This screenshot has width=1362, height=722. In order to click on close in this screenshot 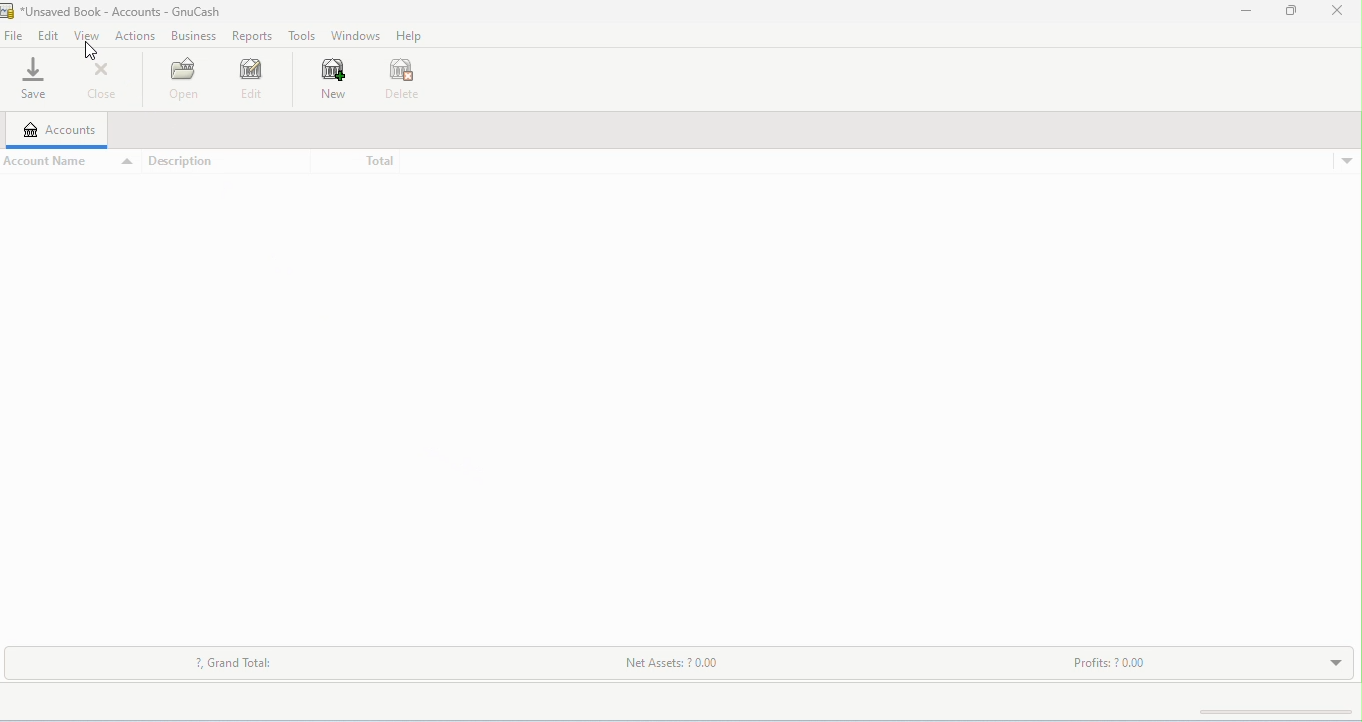, I will do `click(1339, 10)`.